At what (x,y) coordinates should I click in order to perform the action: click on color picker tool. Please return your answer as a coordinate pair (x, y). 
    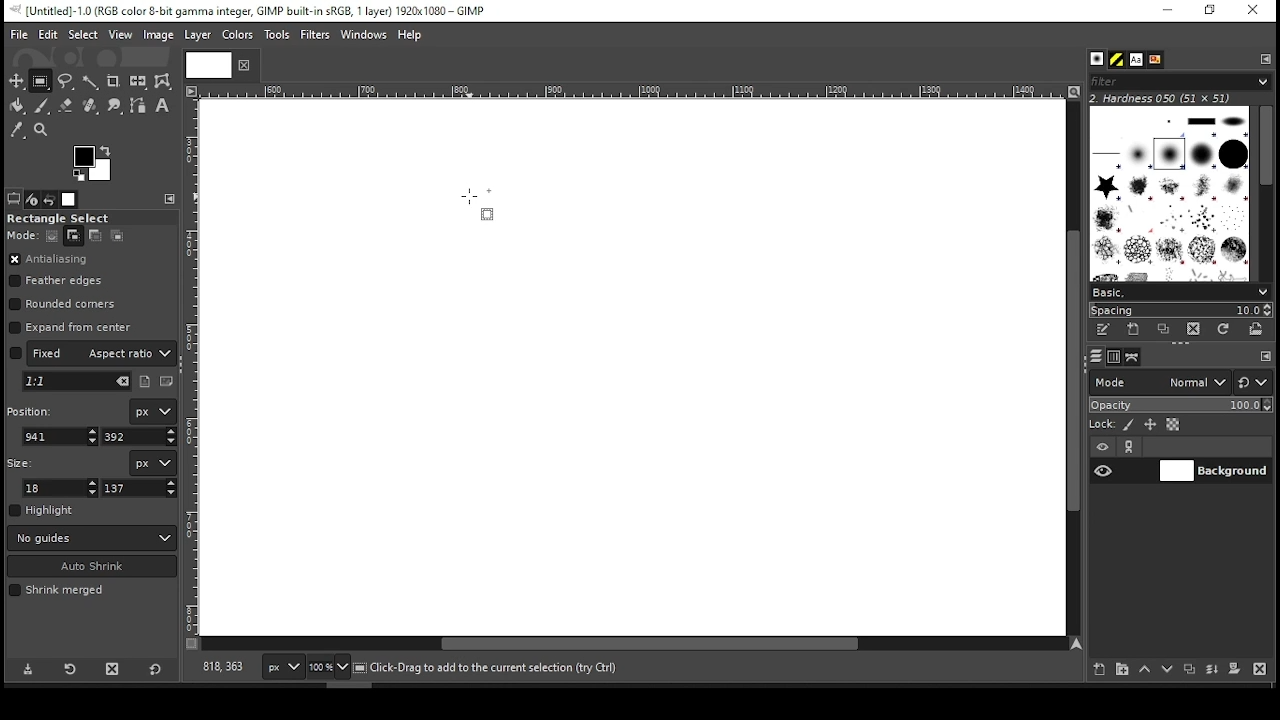
    Looking at the image, I should click on (16, 132).